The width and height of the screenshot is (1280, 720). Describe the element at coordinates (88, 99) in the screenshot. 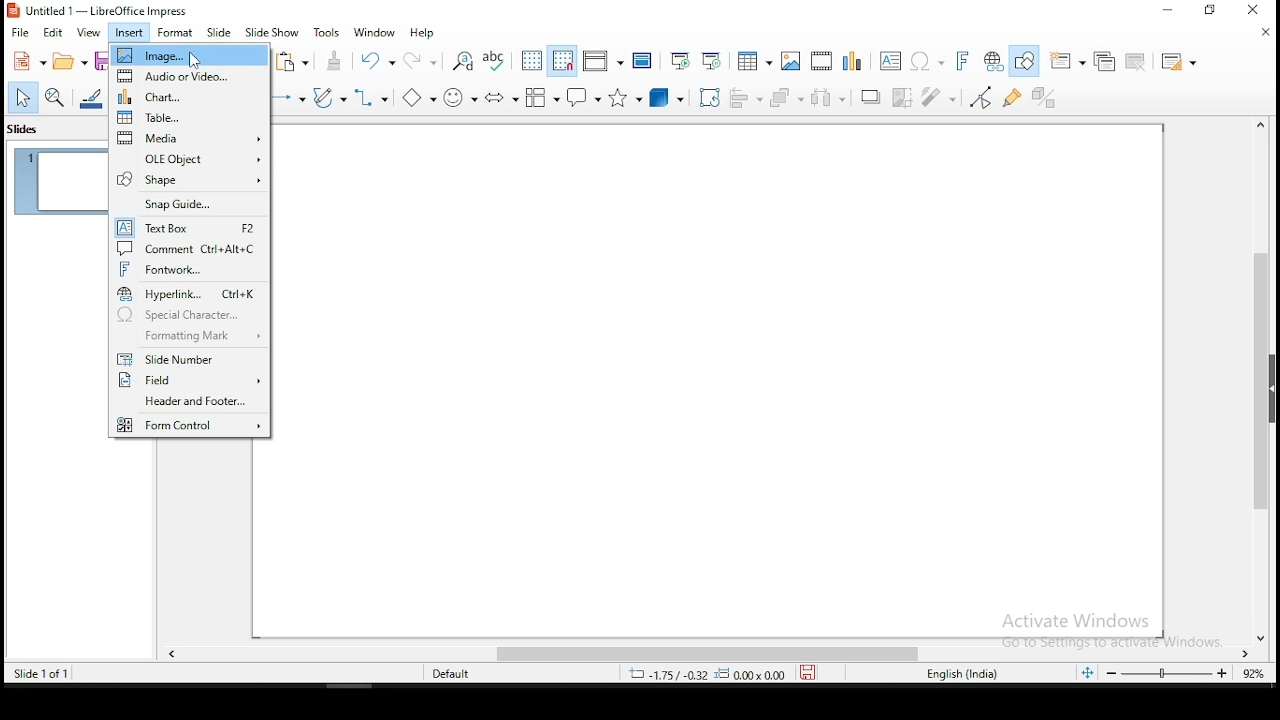

I see `line color` at that location.